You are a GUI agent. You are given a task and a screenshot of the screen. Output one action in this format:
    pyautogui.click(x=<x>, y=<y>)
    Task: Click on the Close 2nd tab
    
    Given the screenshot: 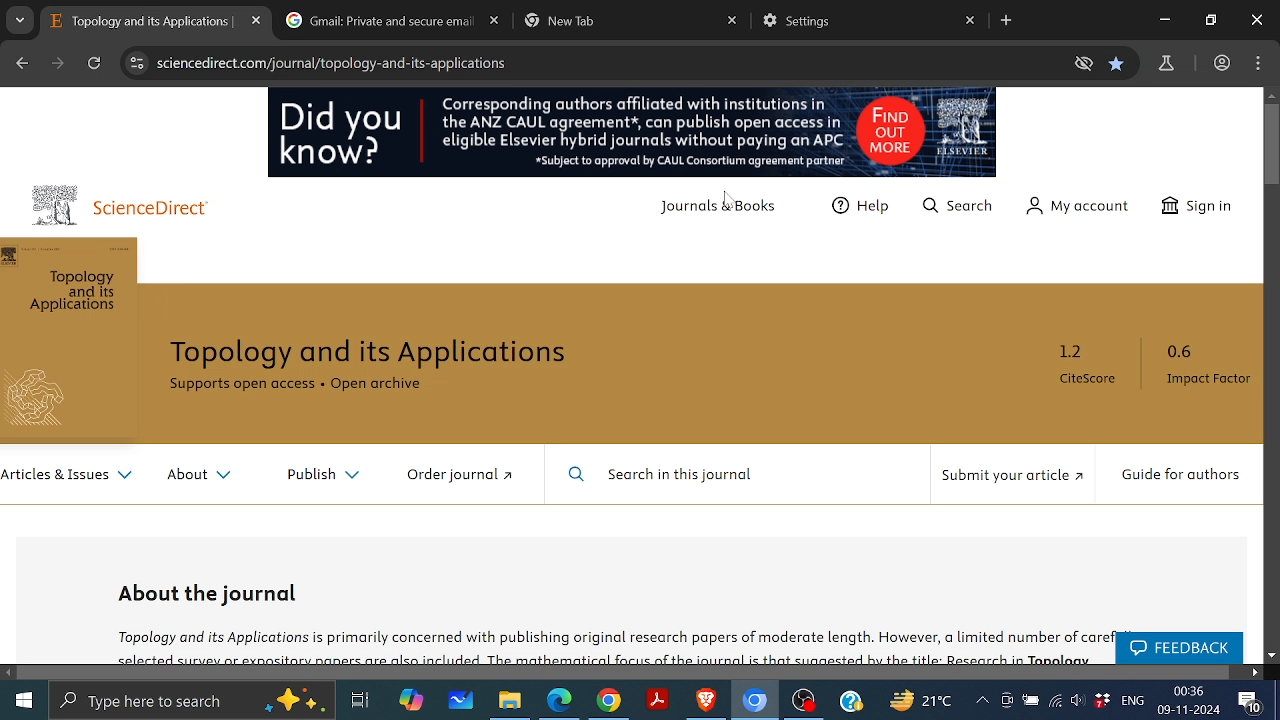 What is the action you would take?
    pyautogui.click(x=495, y=21)
    